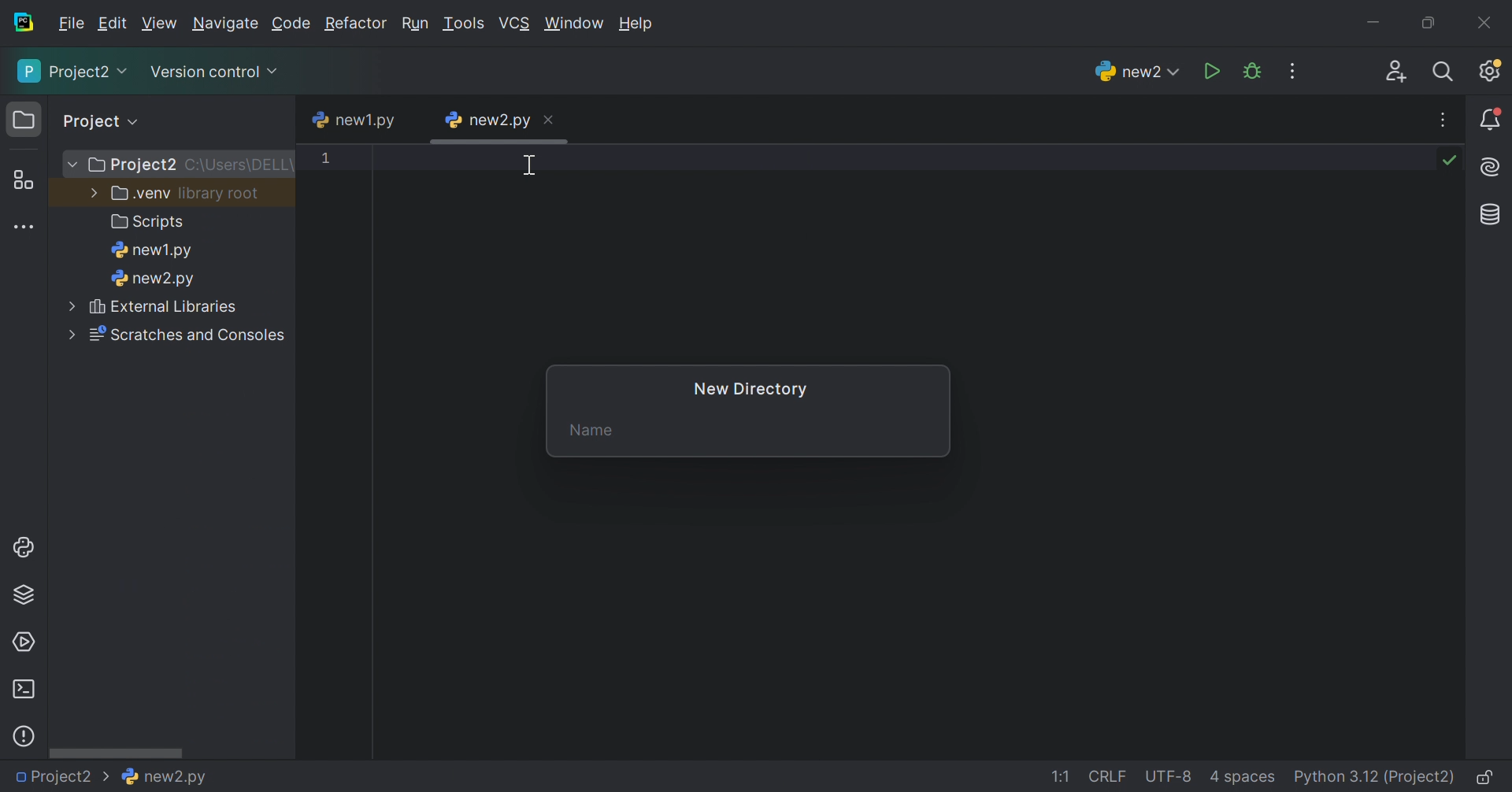 This screenshot has height=792, width=1512. Describe the element at coordinates (1446, 74) in the screenshot. I see `Search everywhere` at that location.